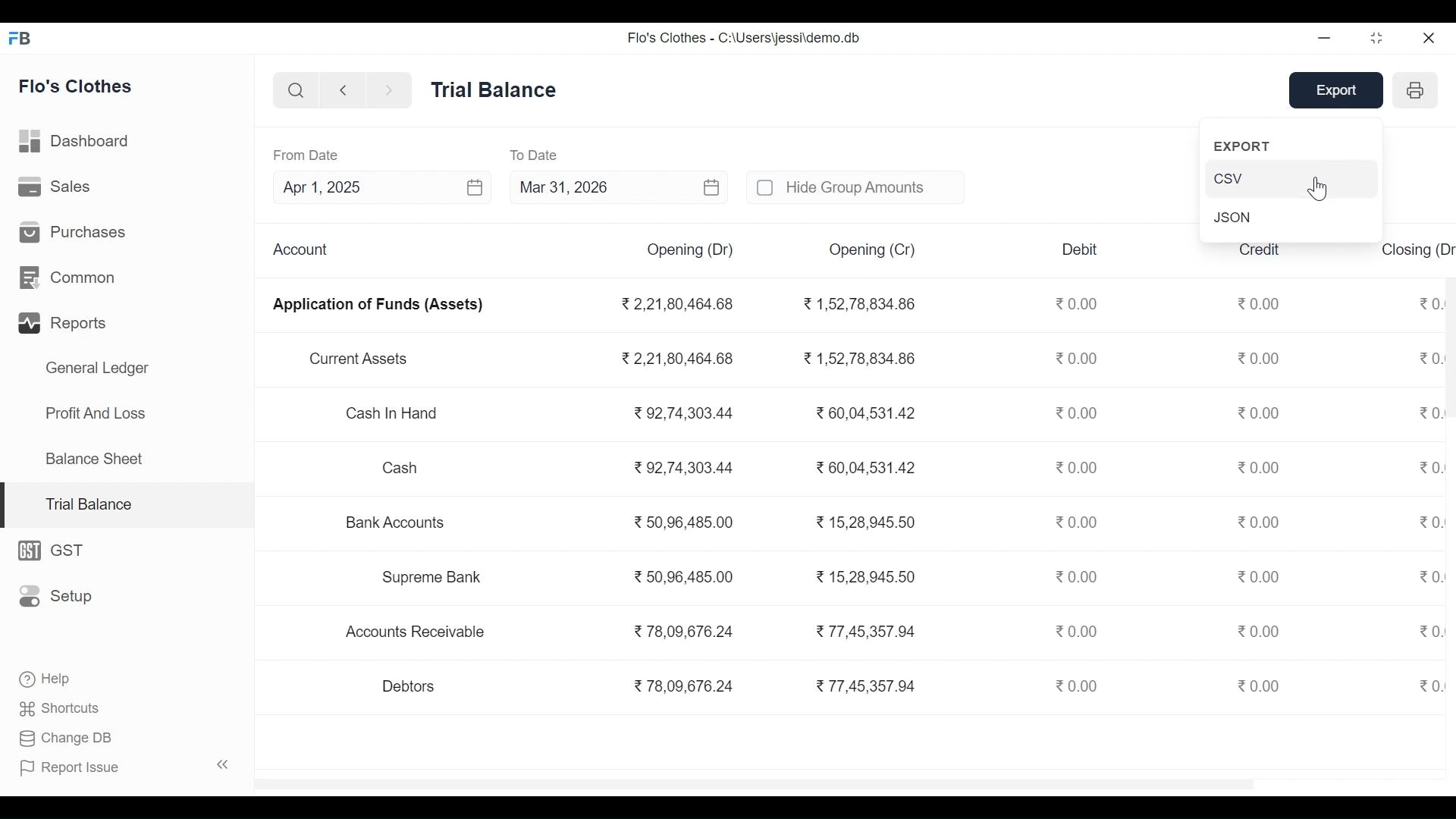 The width and height of the screenshot is (1456, 819). I want to click on Cash, so click(402, 468).